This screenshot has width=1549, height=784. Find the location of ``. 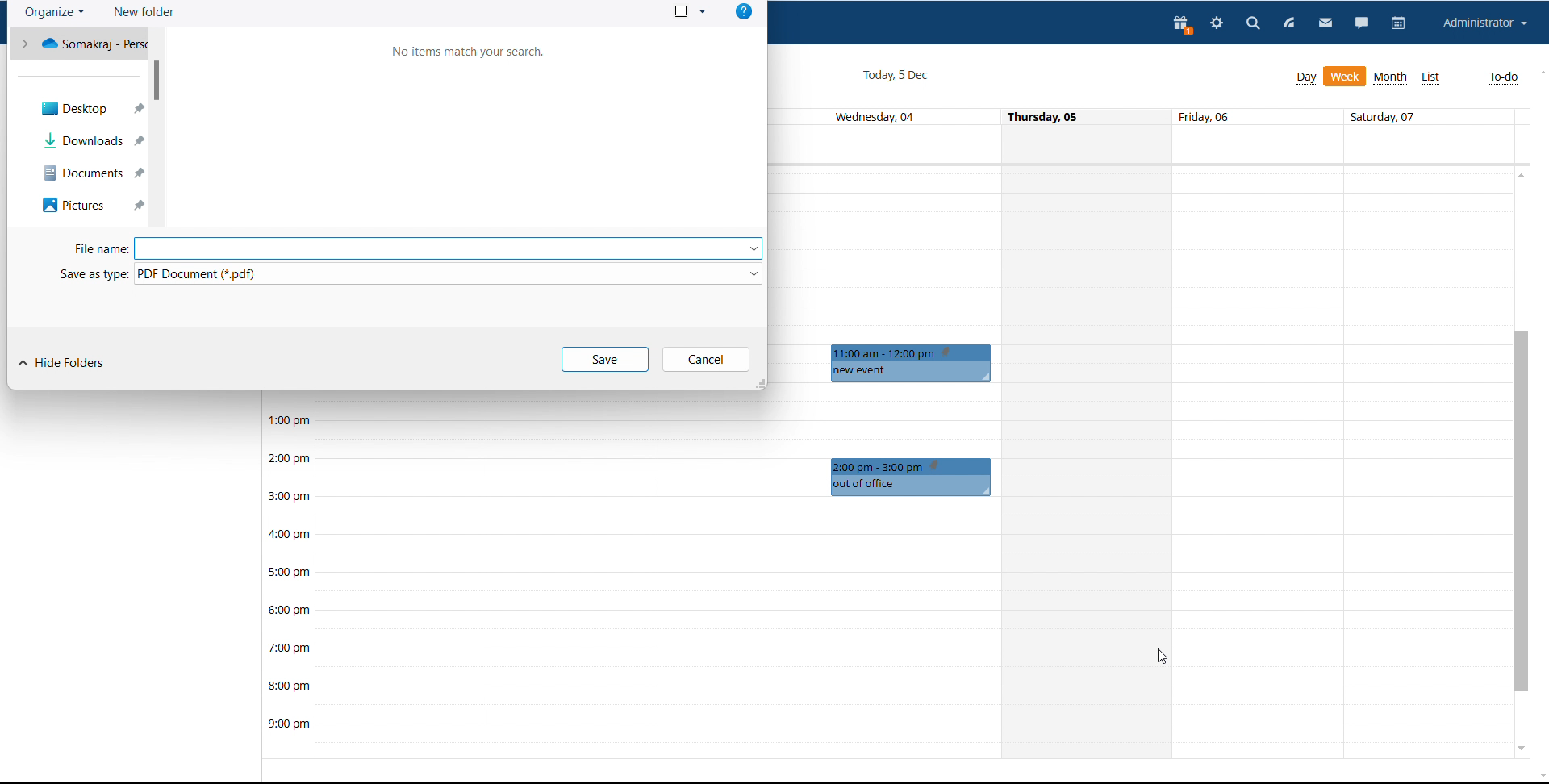

 is located at coordinates (912, 477).